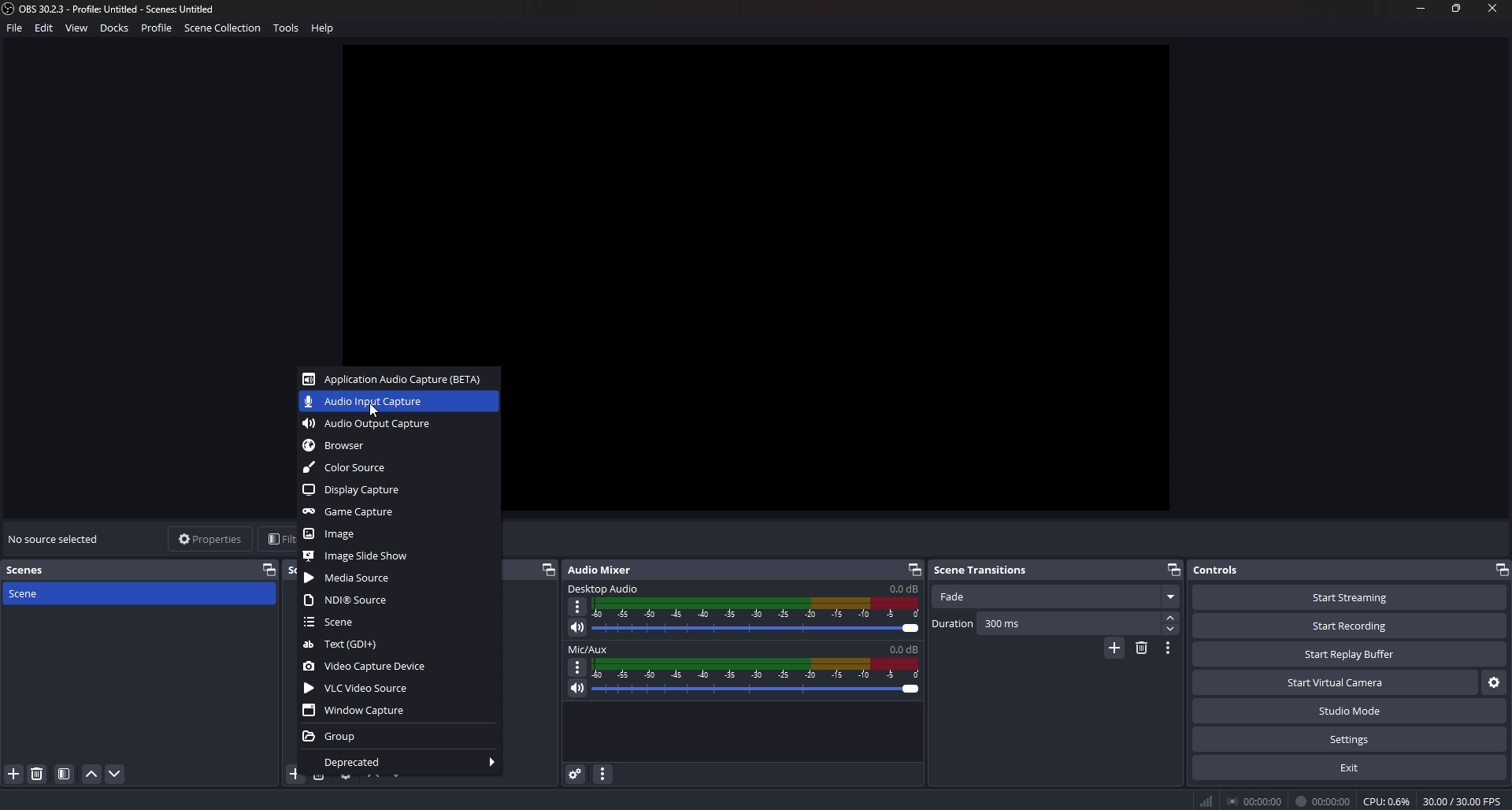 This screenshot has height=810, width=1512. What do you see at coordinates (1493, 10) in the screenshot?
I see `close` at bounding box center [1493, 10].